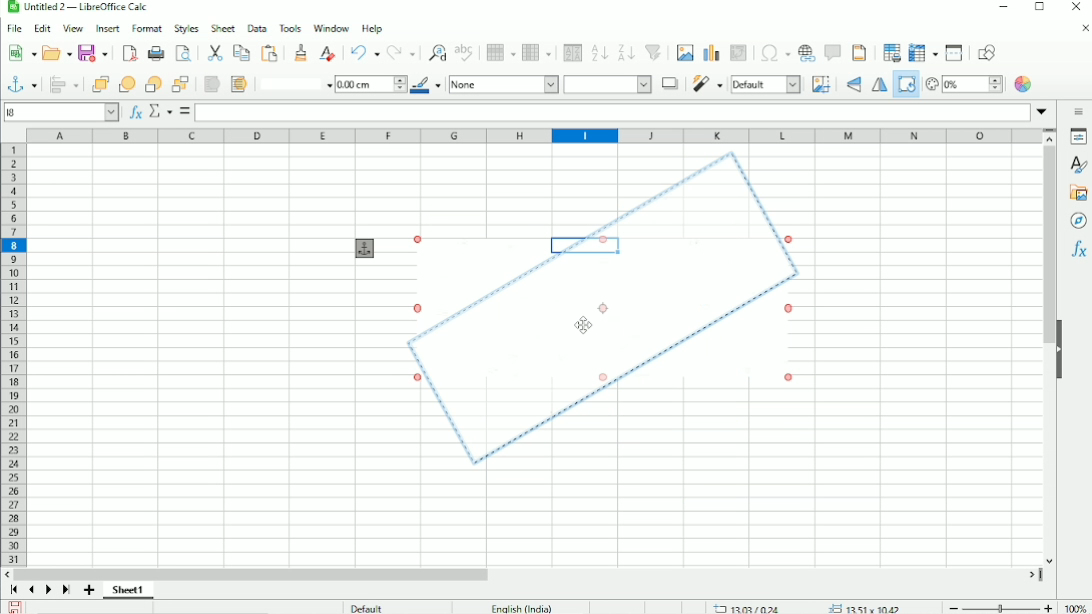 This screenshot has height=614, width=1092. I want to click on Select function, so click(159, 111).